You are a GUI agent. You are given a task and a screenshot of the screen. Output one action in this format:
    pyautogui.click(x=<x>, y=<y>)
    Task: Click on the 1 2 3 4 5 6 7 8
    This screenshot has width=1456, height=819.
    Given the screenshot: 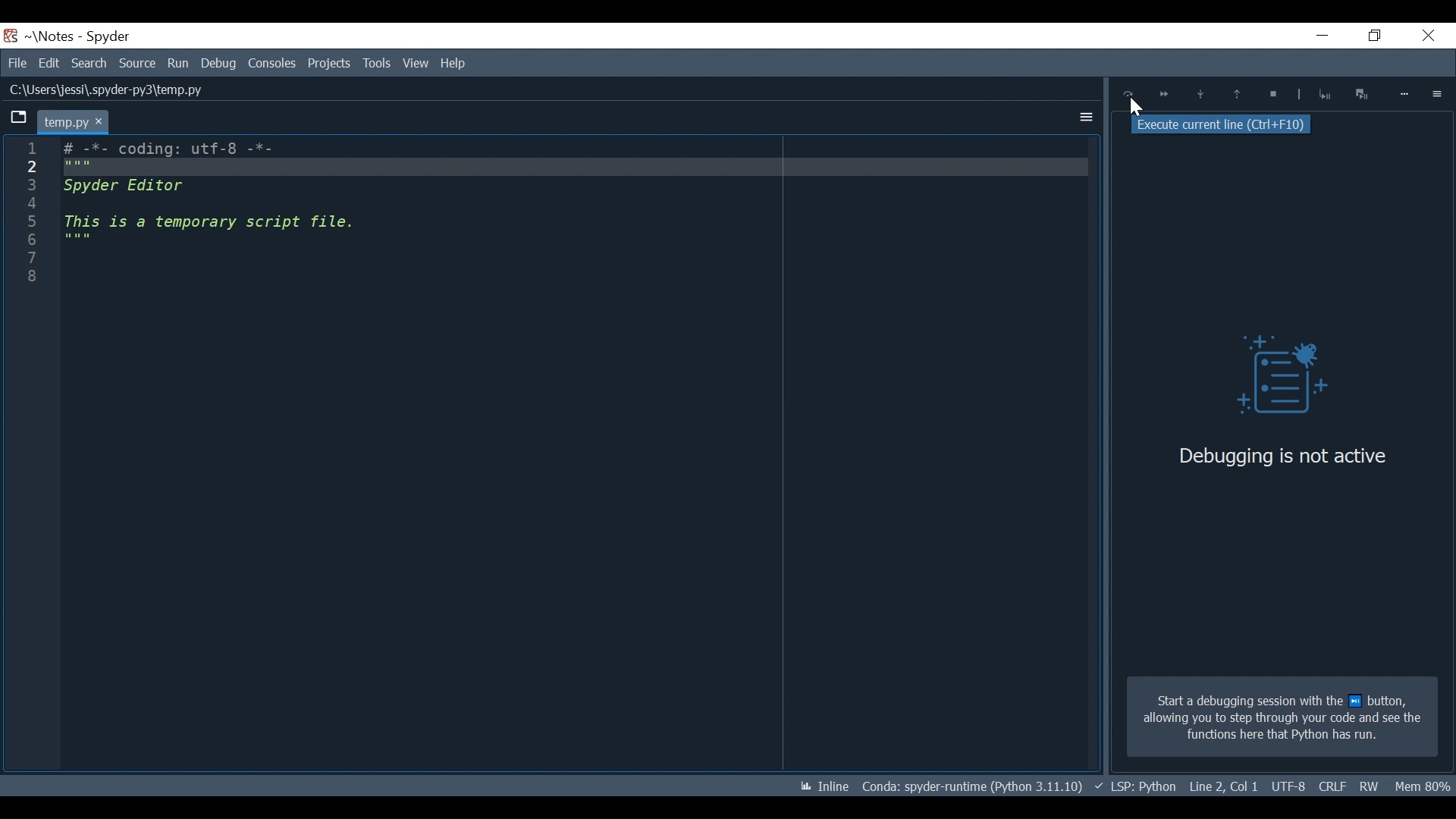 What is the action you would take?
    pyautogui.click(x=30, y=218)
    